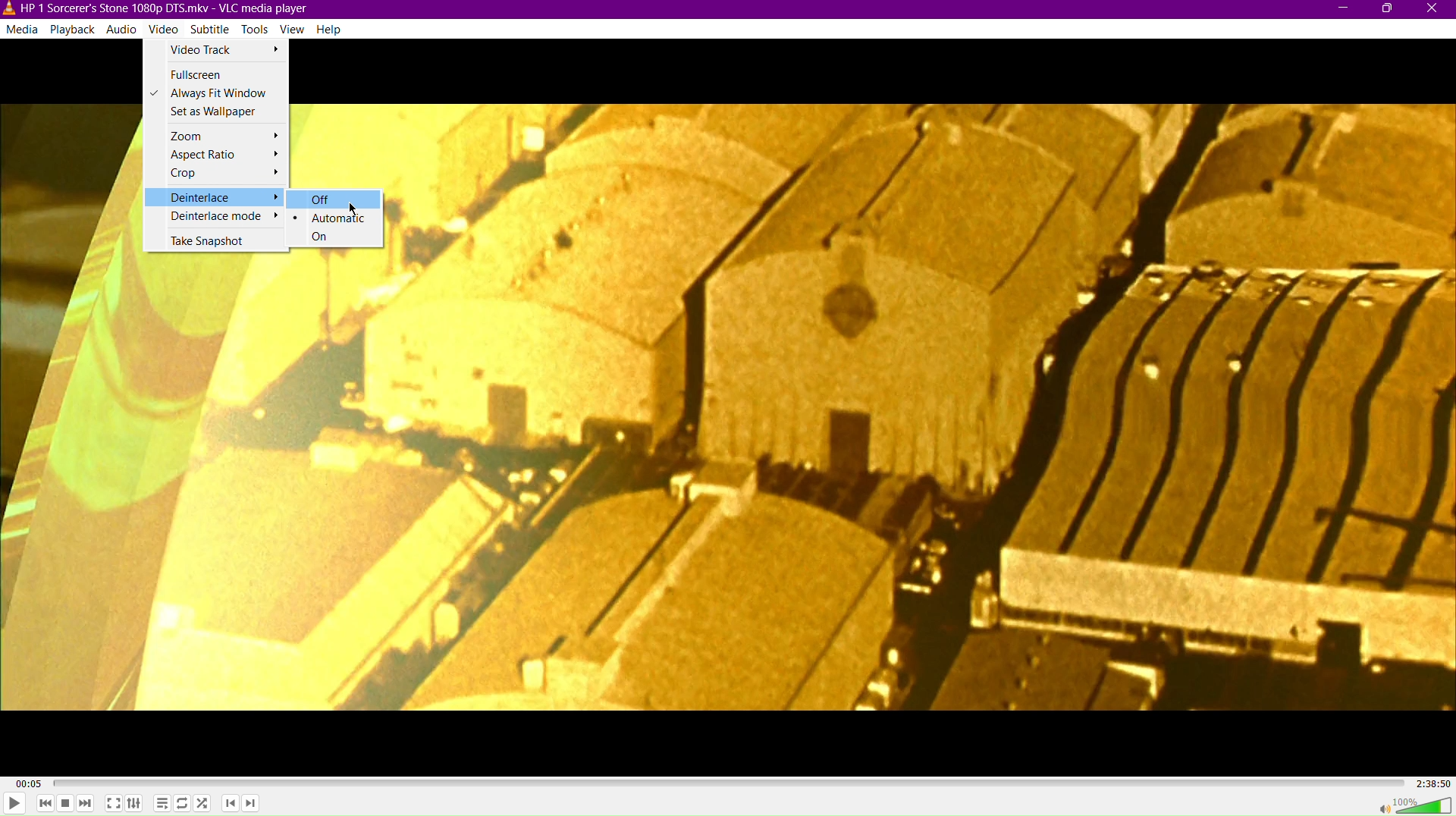  What do you see at coordinates (215, 219) in the screenshot?
I see `Deinterlace mode` at bounding box center [215, 219].